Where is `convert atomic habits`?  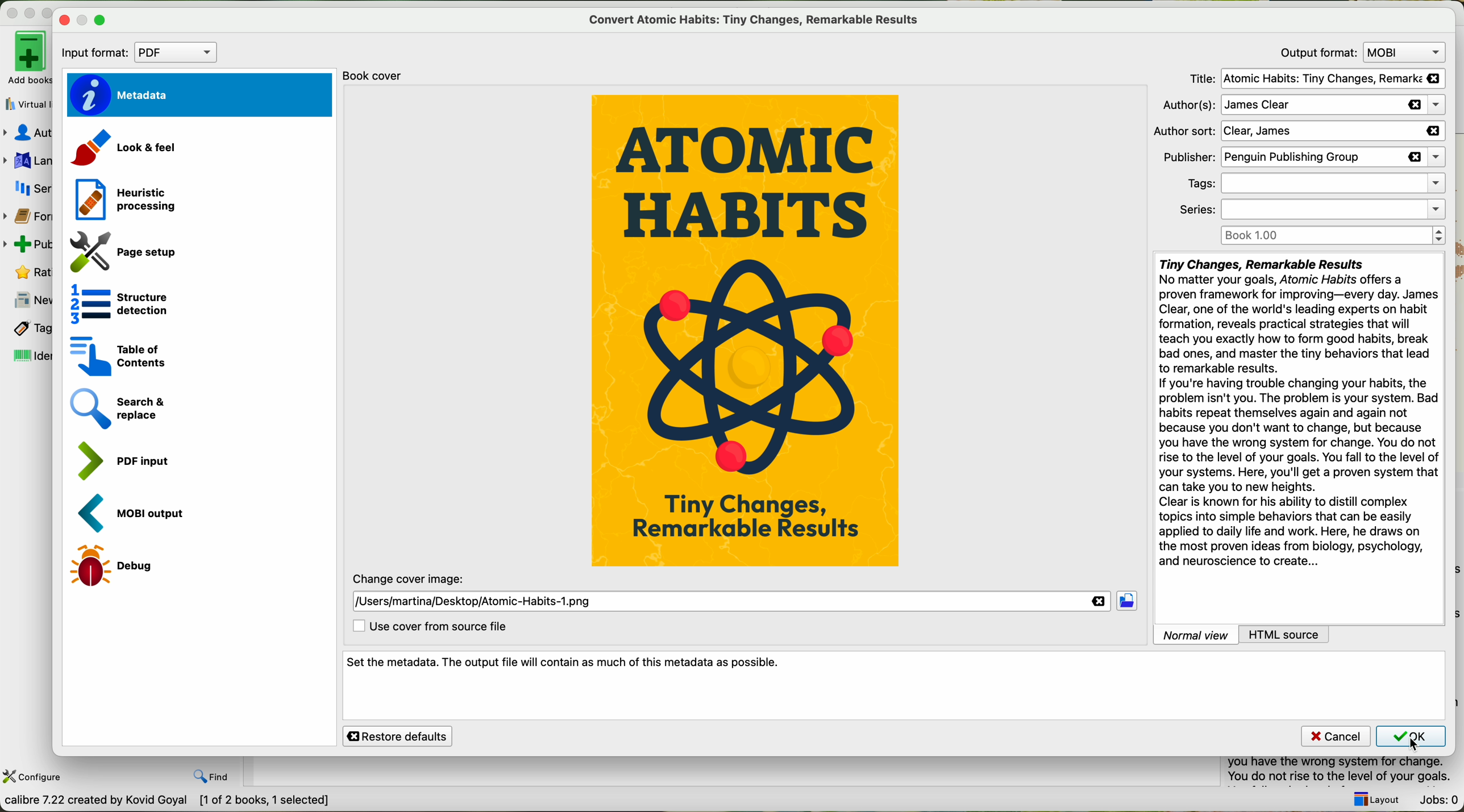
convert atomic habits is located at coordinates (756, 19).